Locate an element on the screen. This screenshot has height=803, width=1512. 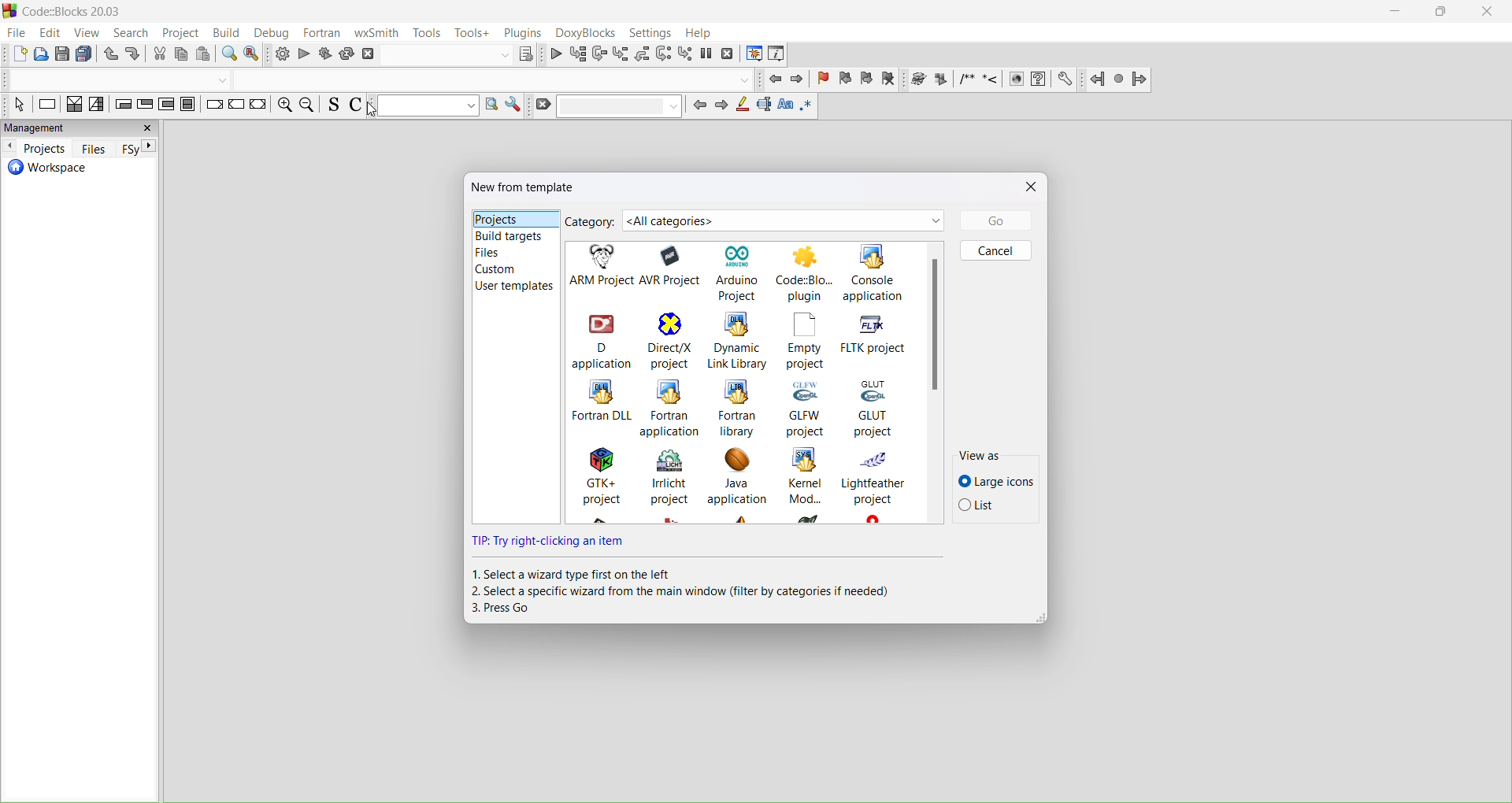
step into is located at coordinates (621, 54).